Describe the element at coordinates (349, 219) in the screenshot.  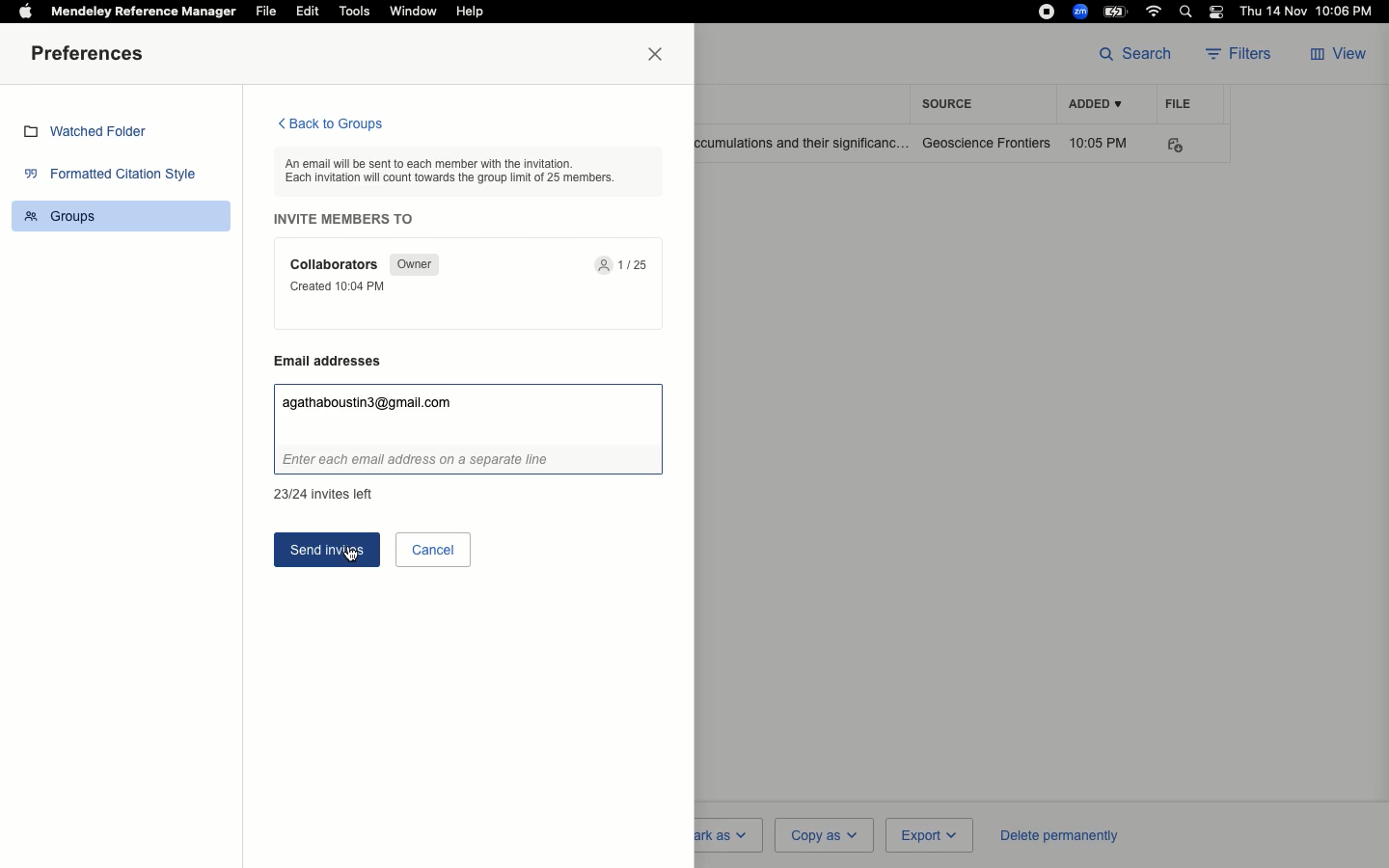
I see `Invite members to` at that location.